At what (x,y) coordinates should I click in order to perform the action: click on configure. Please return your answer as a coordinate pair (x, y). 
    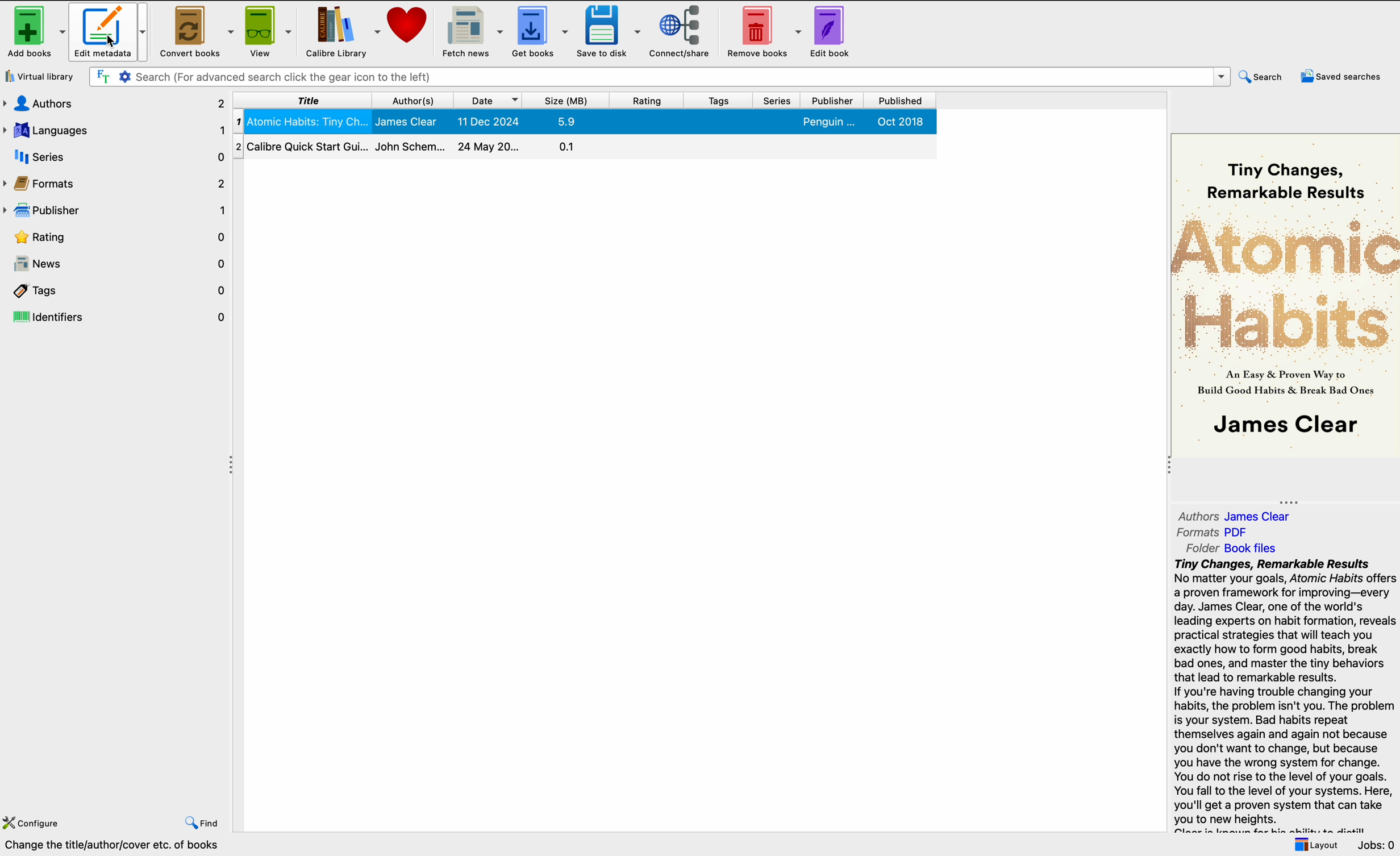
    Looking at the image, I should click on (34, 824).